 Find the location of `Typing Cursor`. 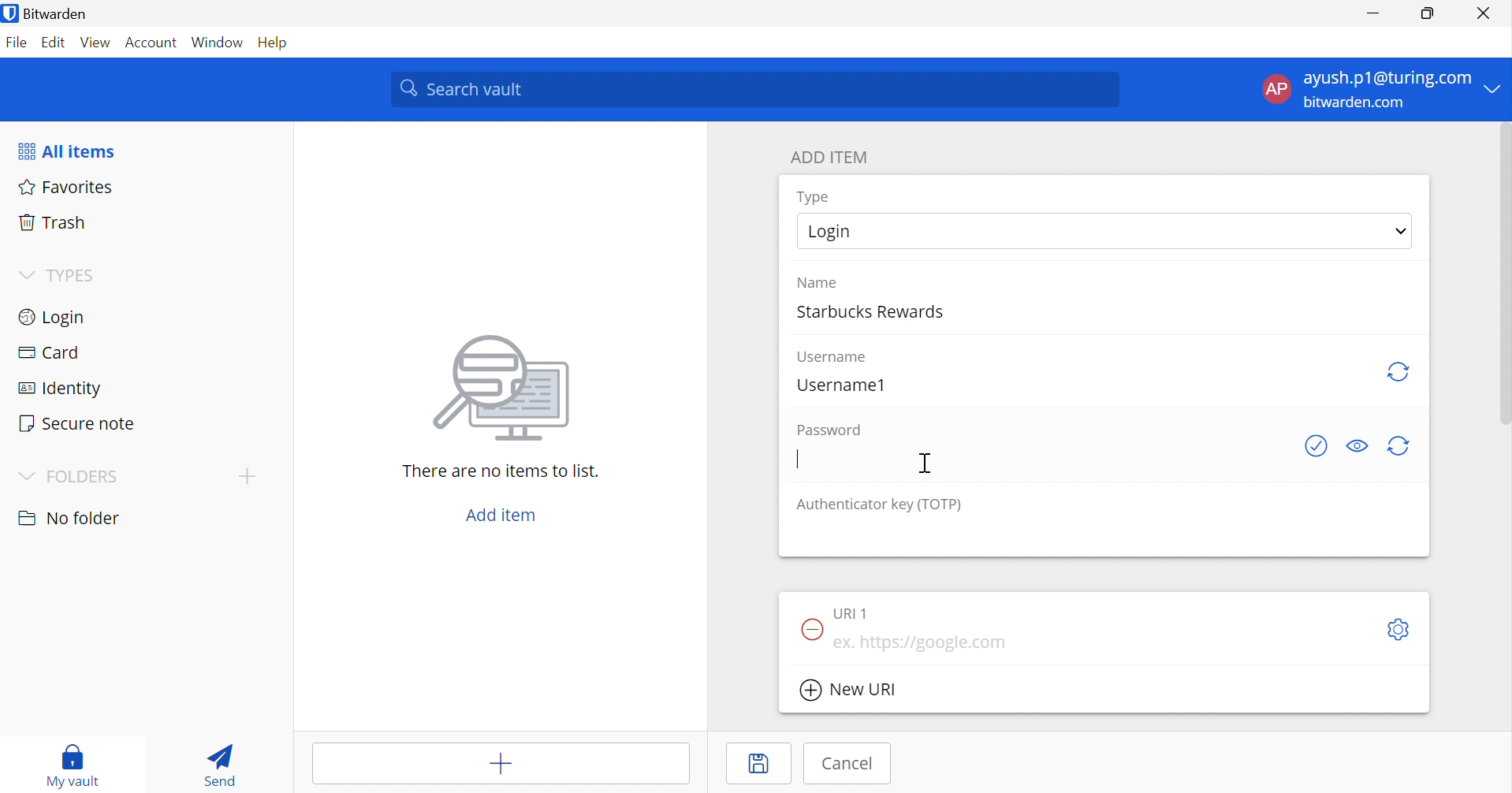

Typing Cursor is located at coordinates (798, 458).